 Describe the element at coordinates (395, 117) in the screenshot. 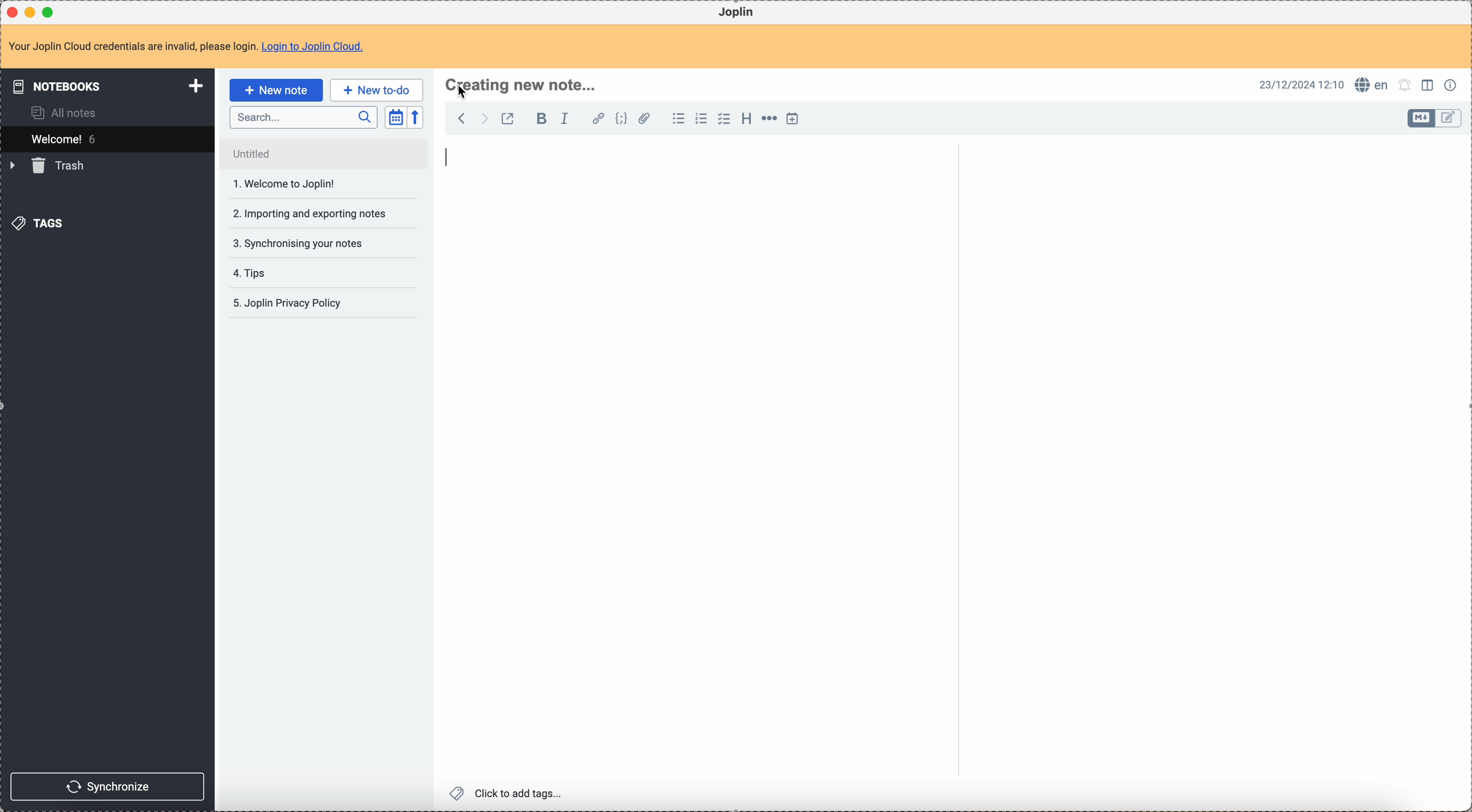

I see `toggle sort order field` at that location.